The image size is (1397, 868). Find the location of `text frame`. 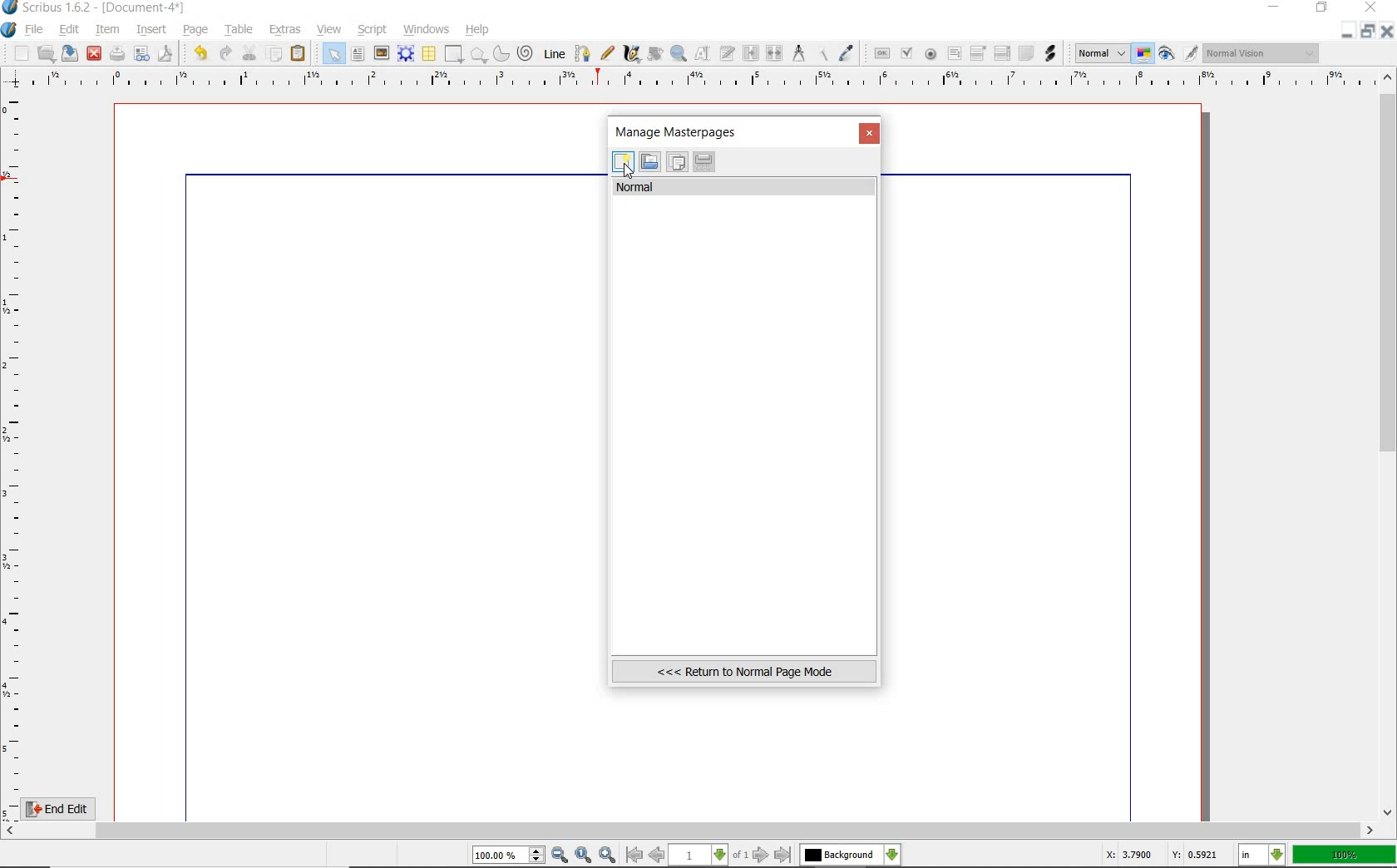

text frame is located at coordinates (359, 54).